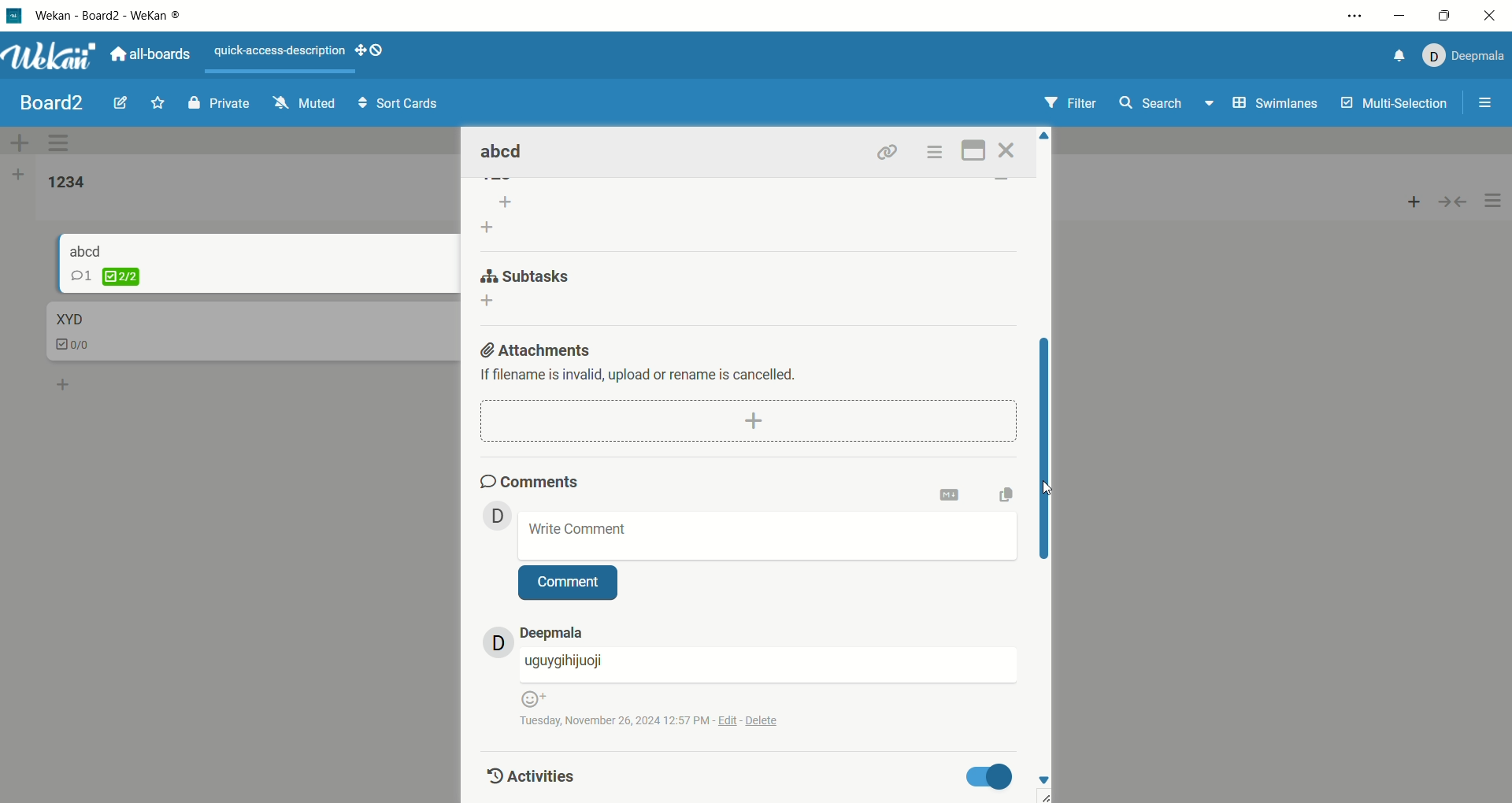 The height and width of the screenshot is (803, 1512). Describe the element at coordinates (1010, 150) in the screenshot. I see `close` at that location.